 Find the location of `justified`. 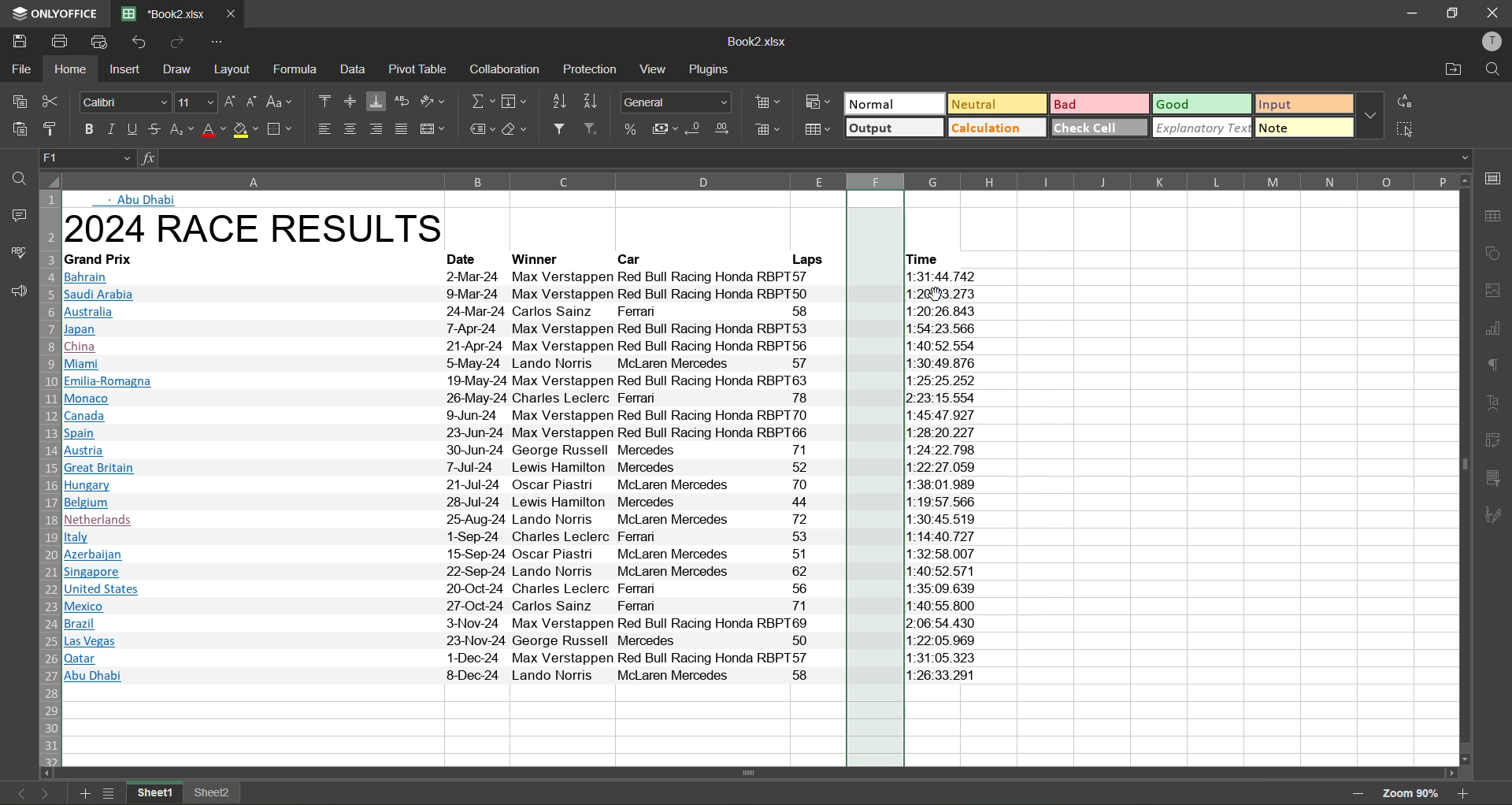

justified is located at coordinates (403, 129).